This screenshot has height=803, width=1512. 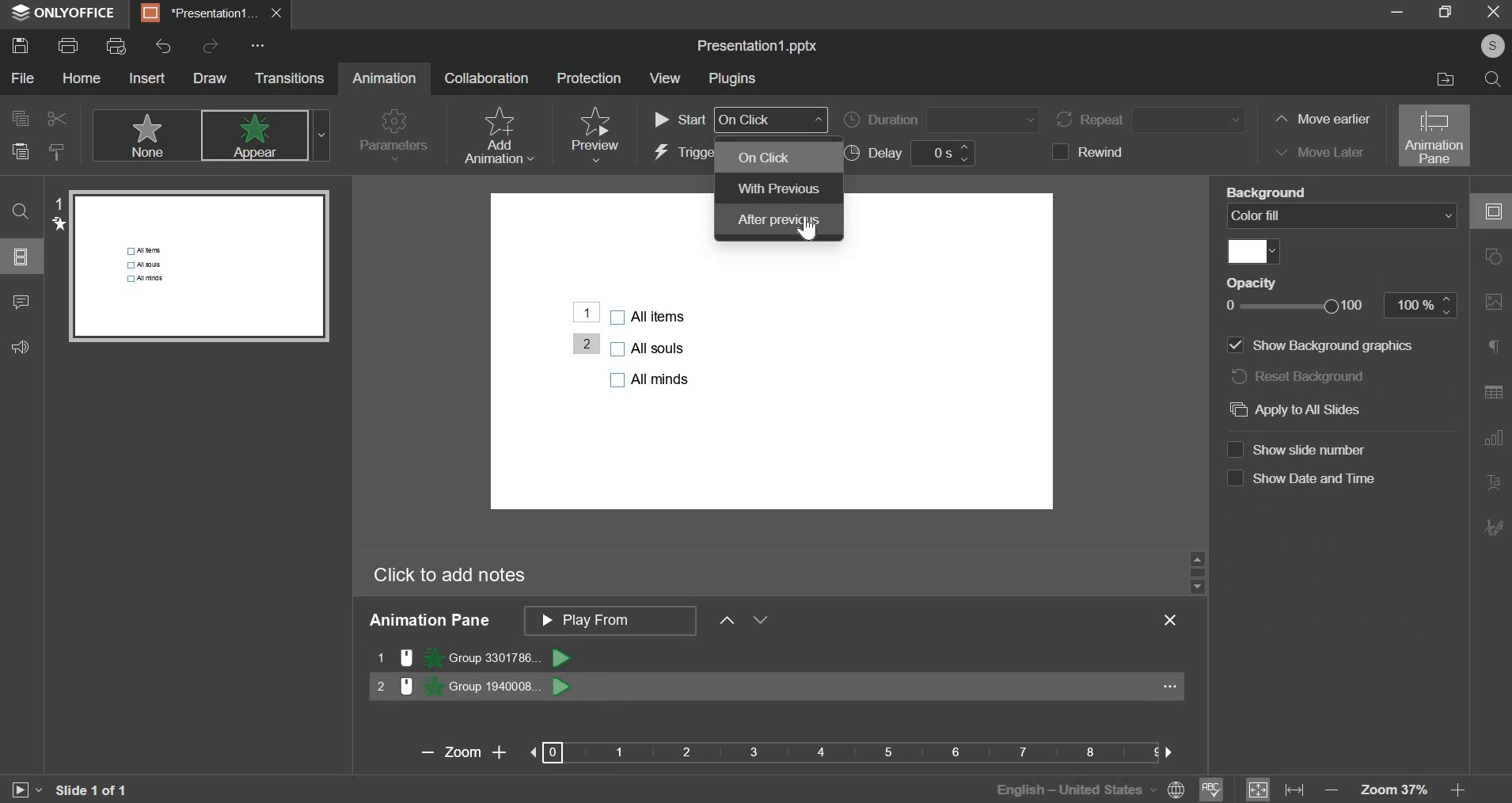 What do you see at coordinates (664, 622) in the screenshot?
I see `animation pane` at bounding box center [664, 622].